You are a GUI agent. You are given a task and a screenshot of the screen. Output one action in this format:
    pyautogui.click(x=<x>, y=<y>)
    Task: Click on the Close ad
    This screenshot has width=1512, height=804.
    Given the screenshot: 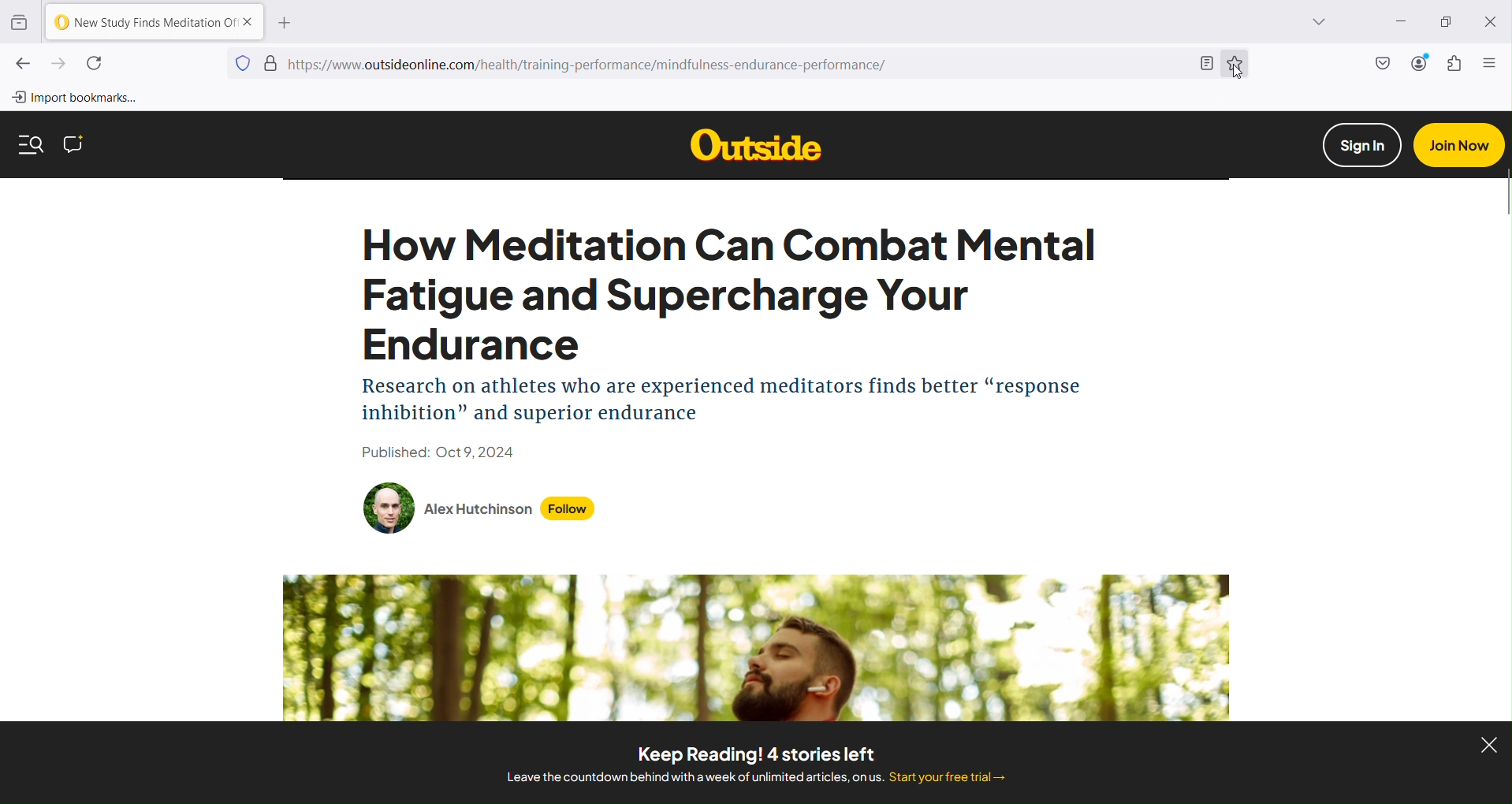 What is the action you would take?
    pyautogui.click(x=1488, y=744)
    